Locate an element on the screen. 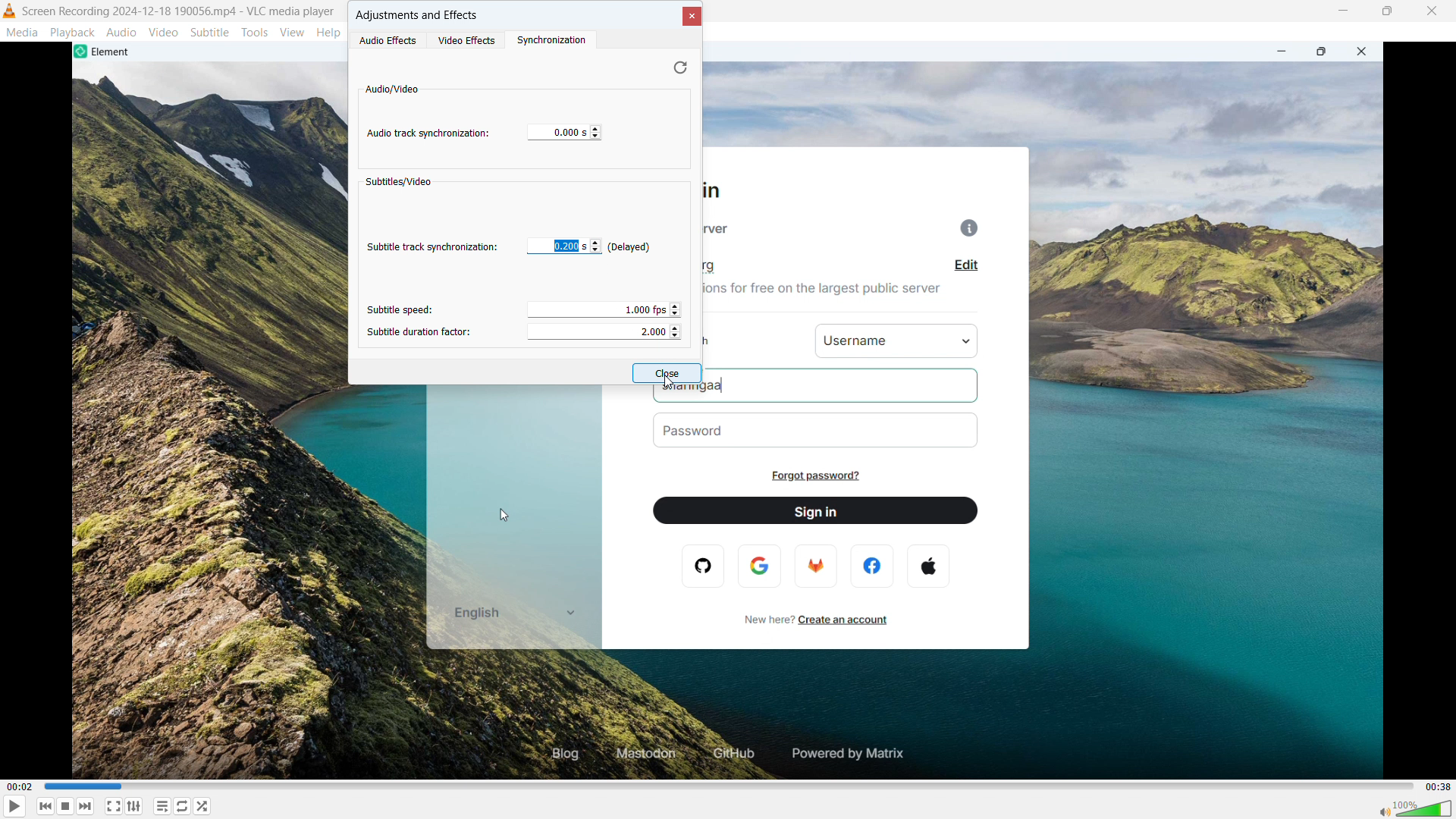 This screenshot has height=819, width=1456. maximize is located at coordinates (1388, 11).